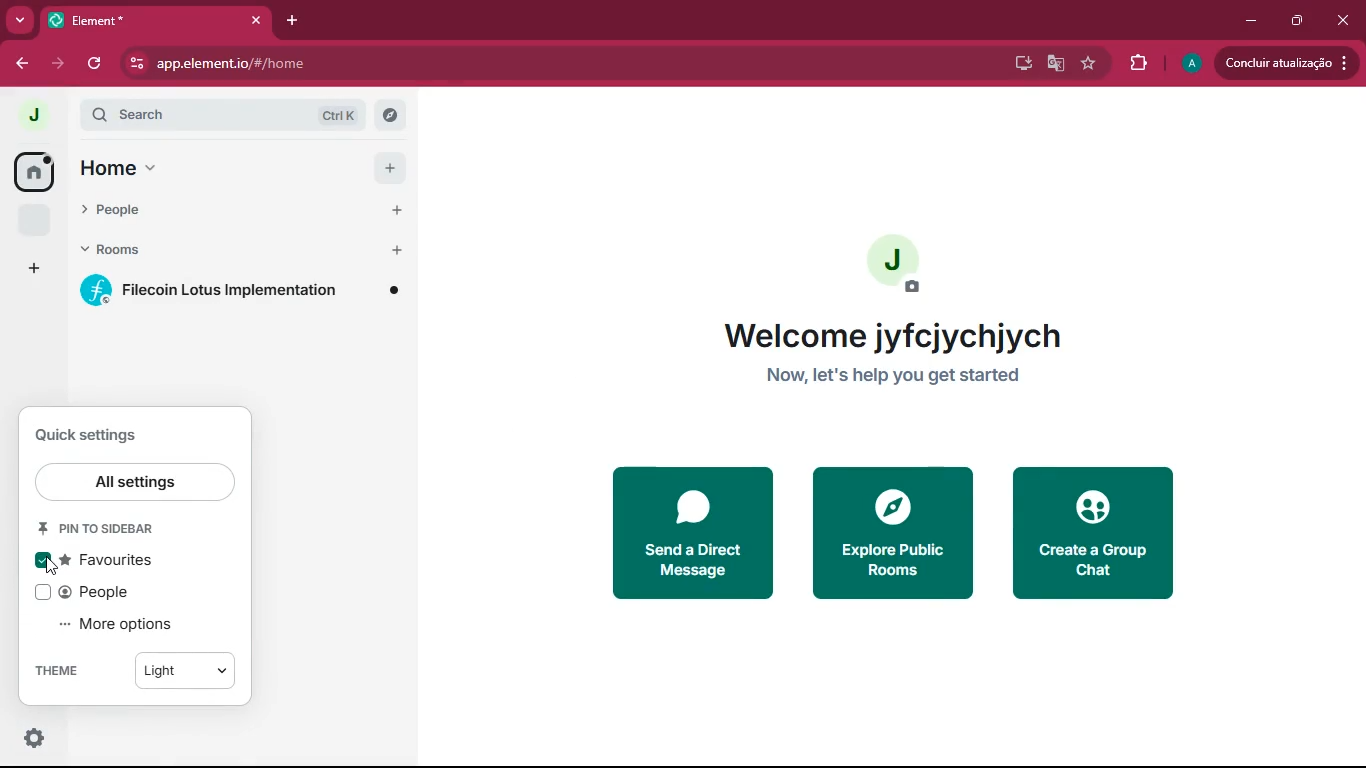 The width and height of the screenshot is (1366, 768). Describe the element at coordinates (53, 566) in the screenshot. I see `Cursor` at that location.